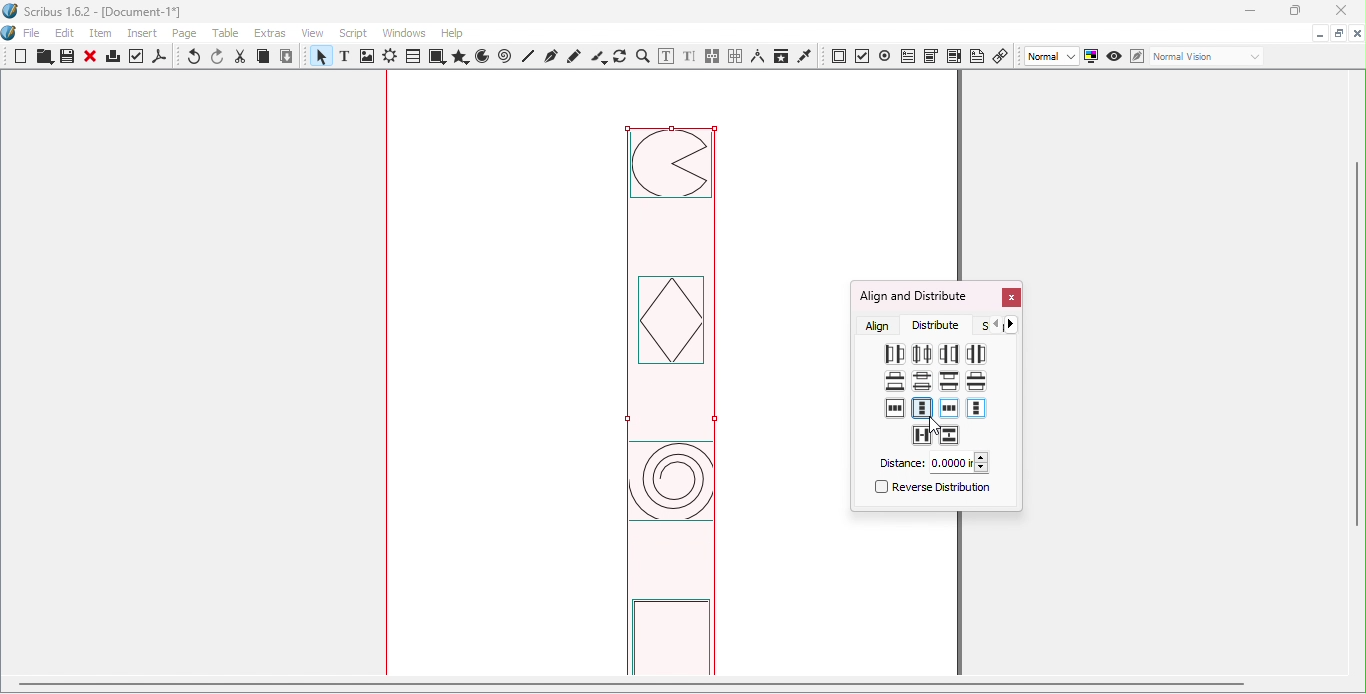 The width and height of the screenshot is (1366, 694). What do you see at coordinates (631, 683) in the screenshot?
I see `scroll bar` at bounding box center [631, 683].